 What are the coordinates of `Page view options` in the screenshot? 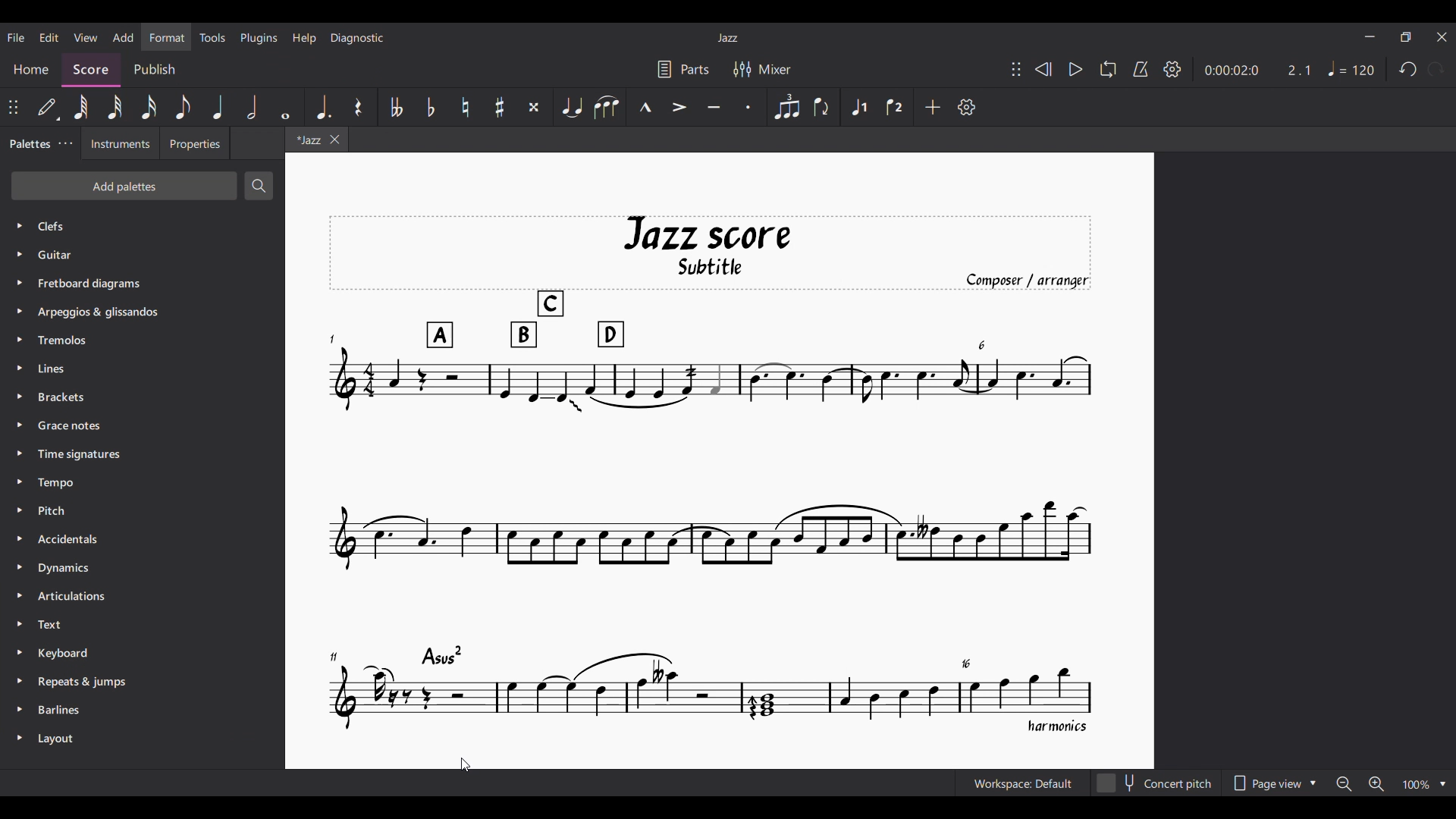 It's located at (1274, 783).